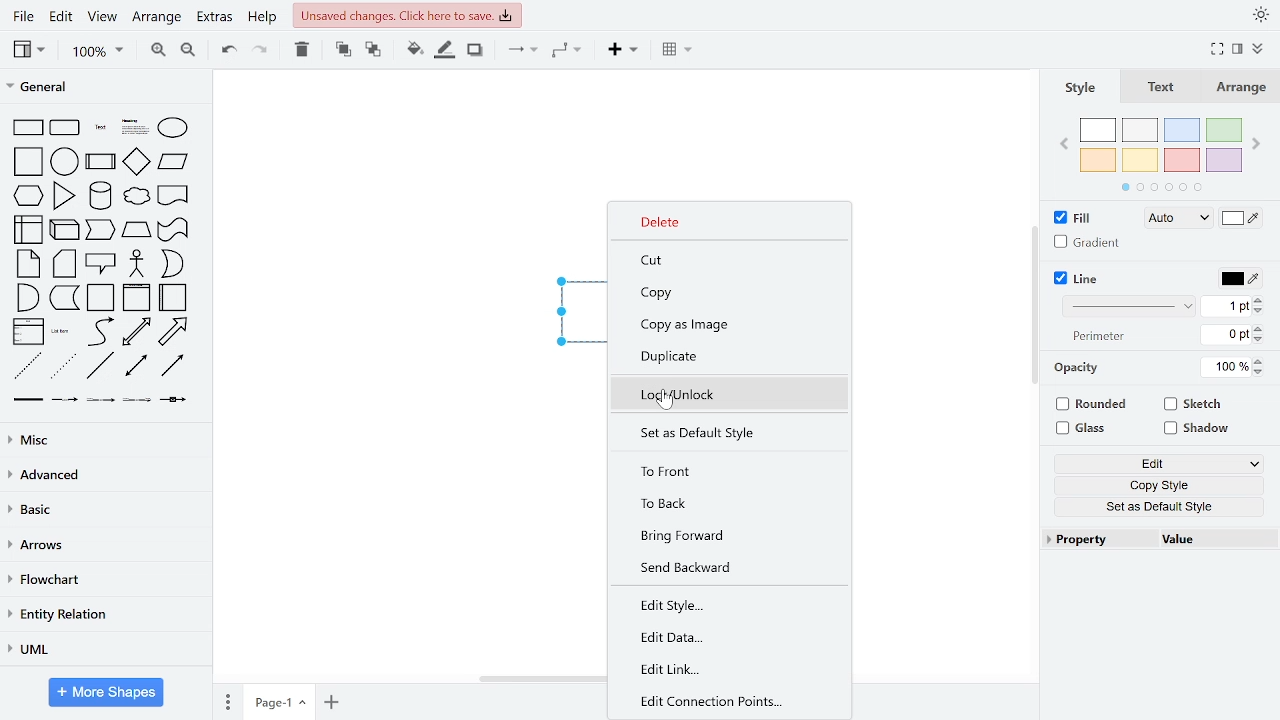 This screenshot has width=1280, height=720. What do you see at coordinates (174, 127) in the screenshot?
I see `ellipse` at bounding box center [174, 127].